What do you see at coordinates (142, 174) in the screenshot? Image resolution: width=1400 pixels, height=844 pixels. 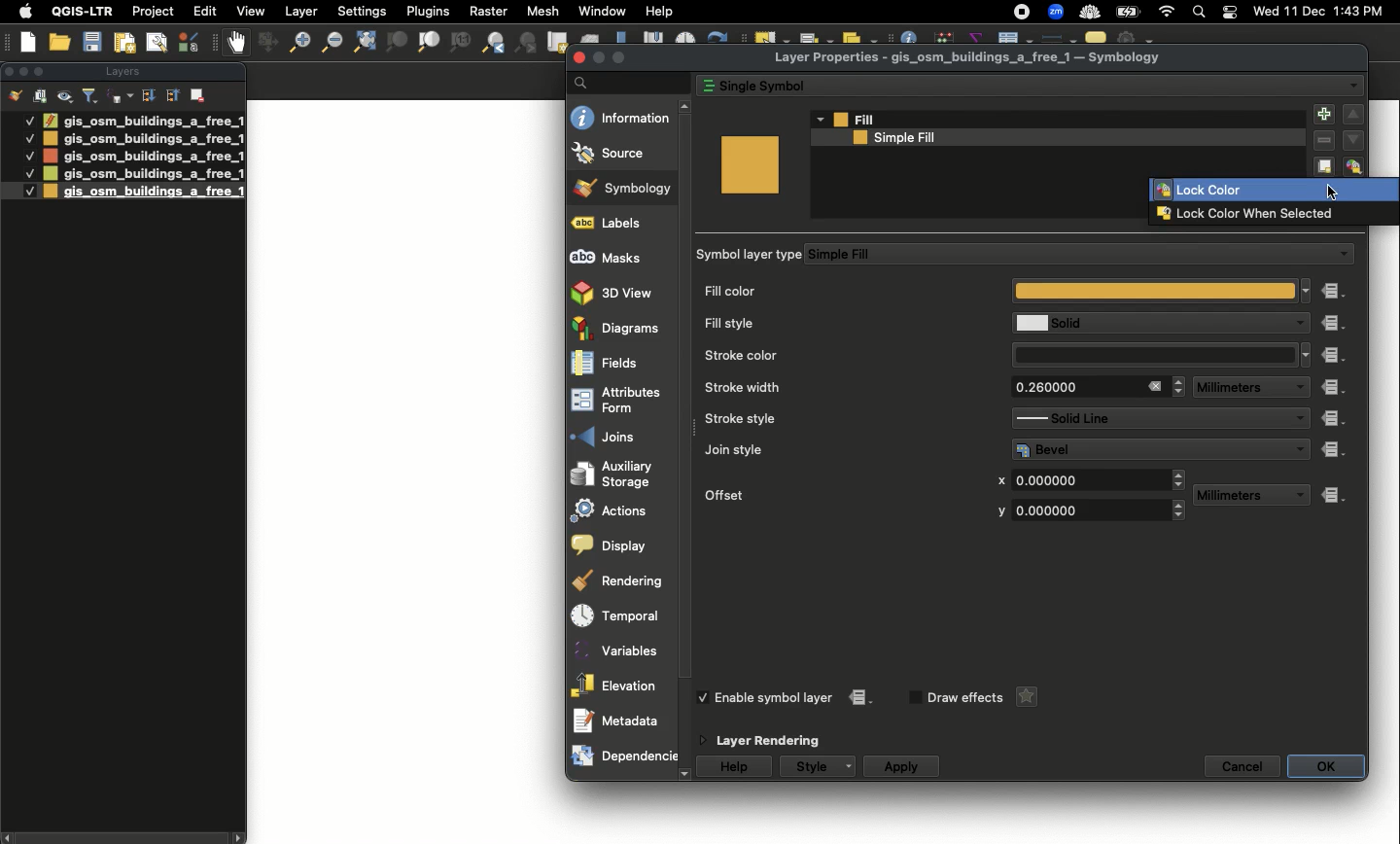 I see `gis_osm_buildings_a_free_1` at bounding box center [142, 174].